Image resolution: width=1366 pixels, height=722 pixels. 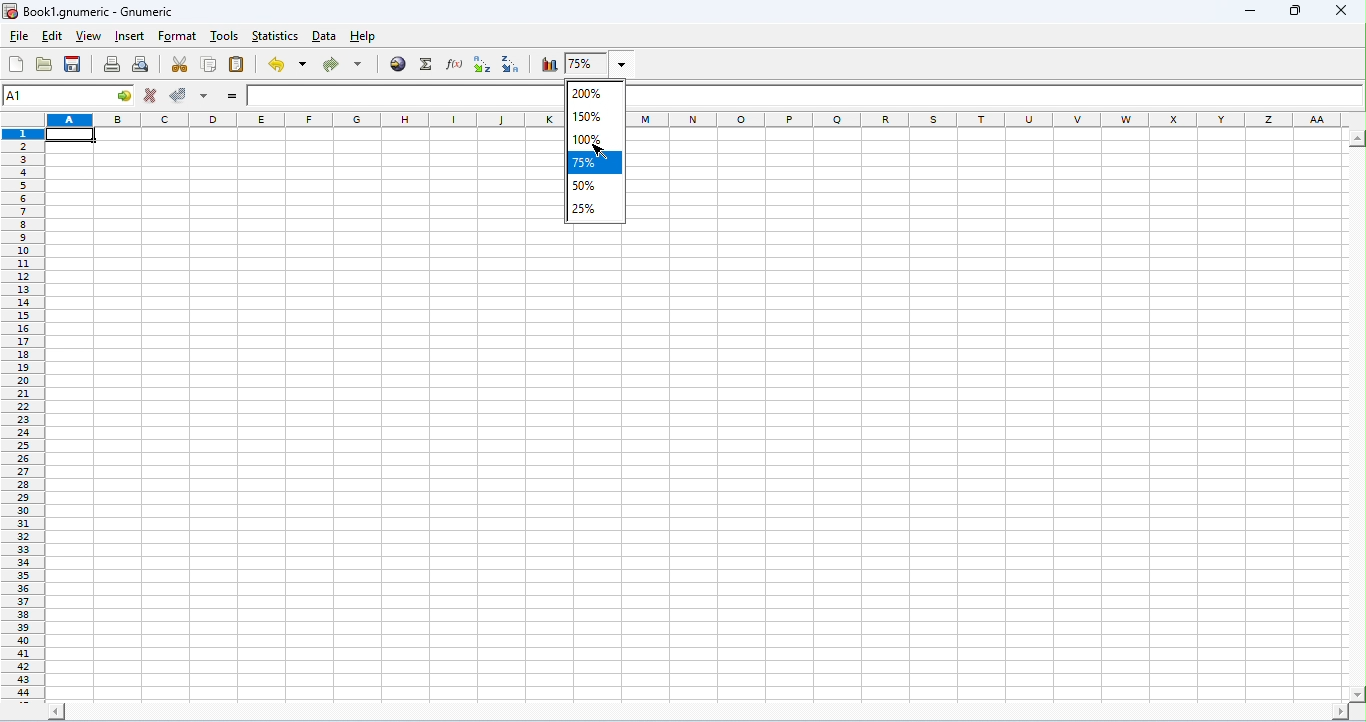 I want to click on row numbers, so click(x=22, y=415).